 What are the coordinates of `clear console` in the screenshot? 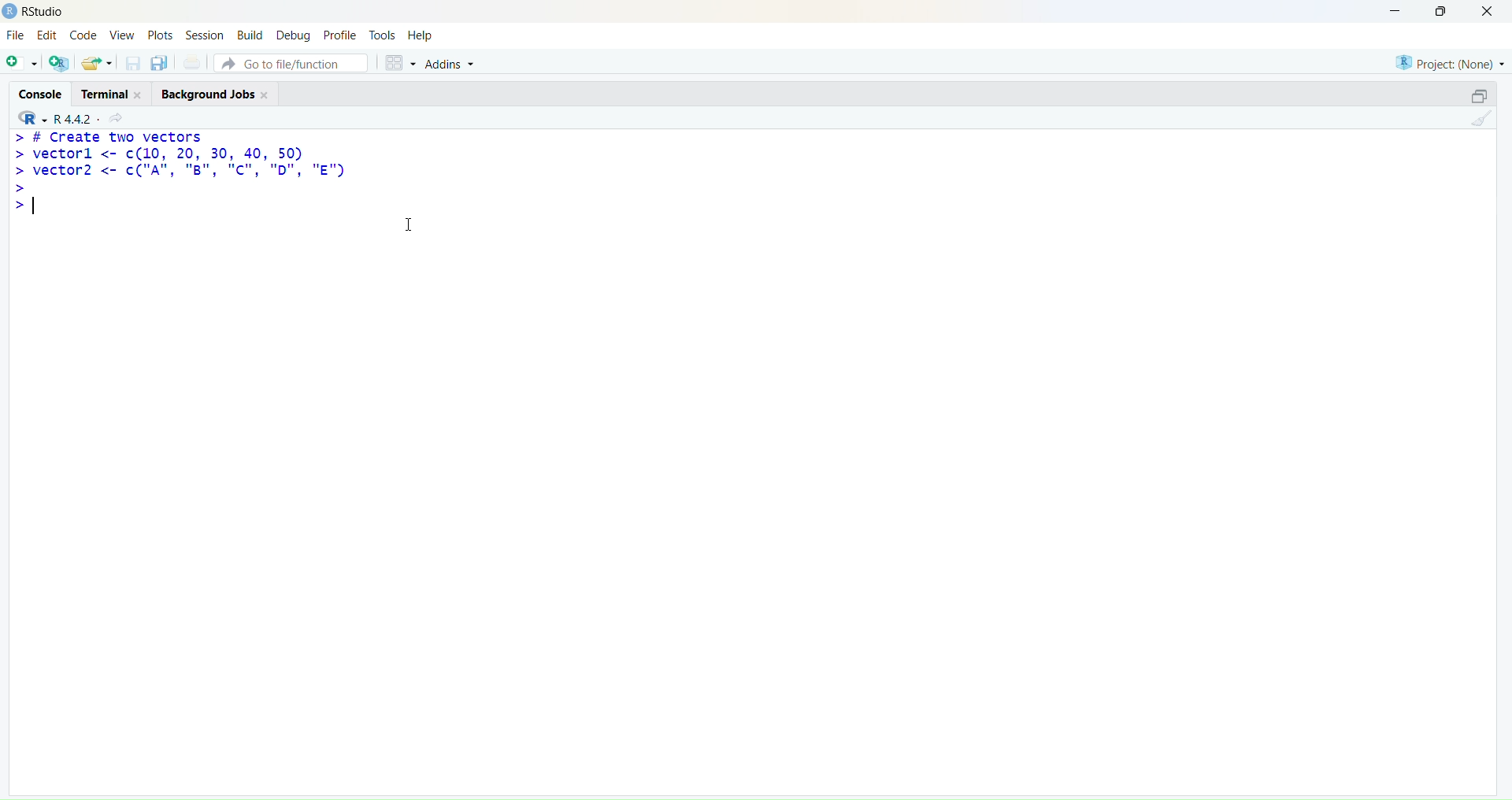 It's located at (1481, 119).